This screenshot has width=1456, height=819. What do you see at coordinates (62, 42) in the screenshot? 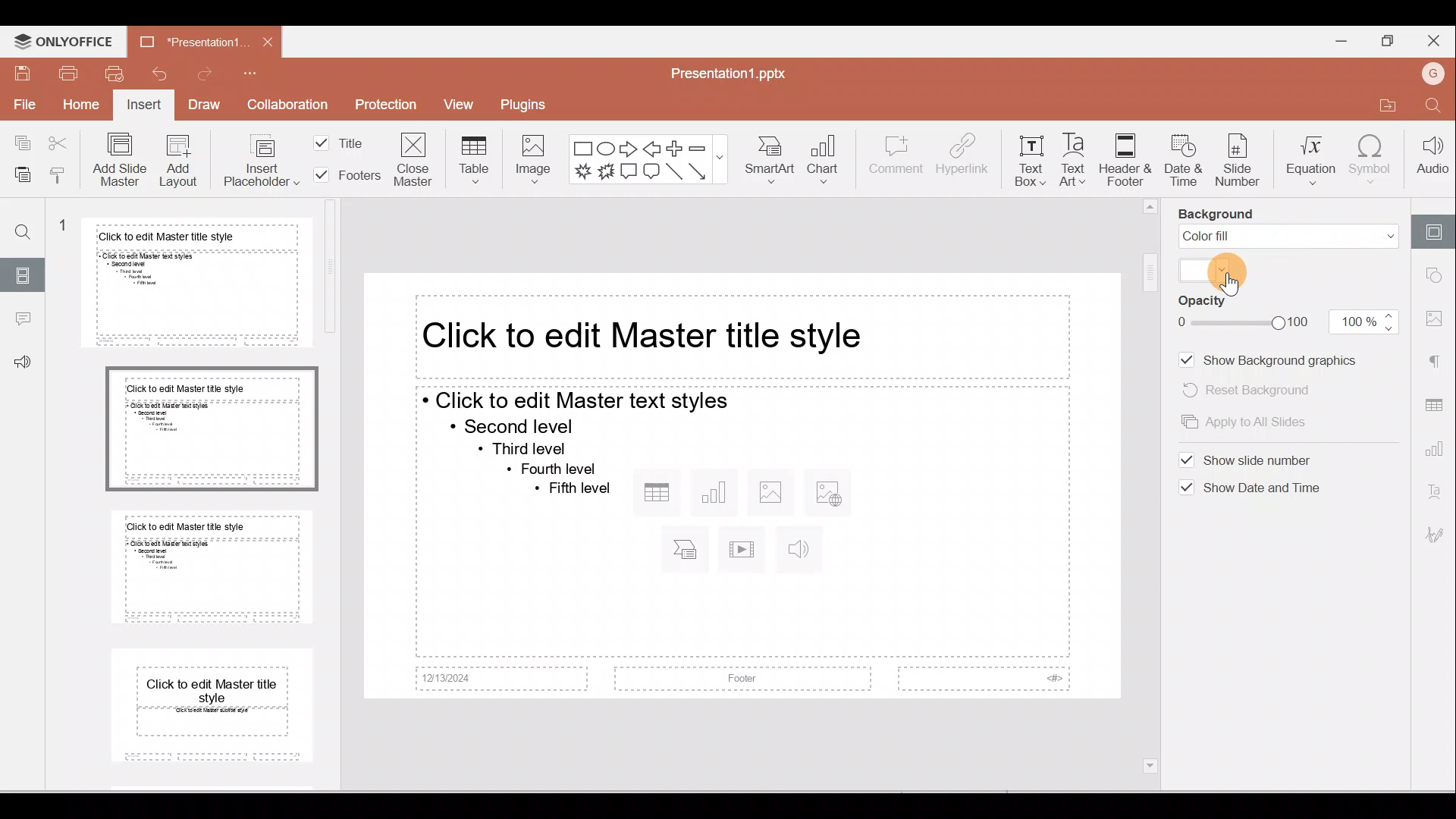
I see `ONLYOFFICE` at bounding box center [62, 42].